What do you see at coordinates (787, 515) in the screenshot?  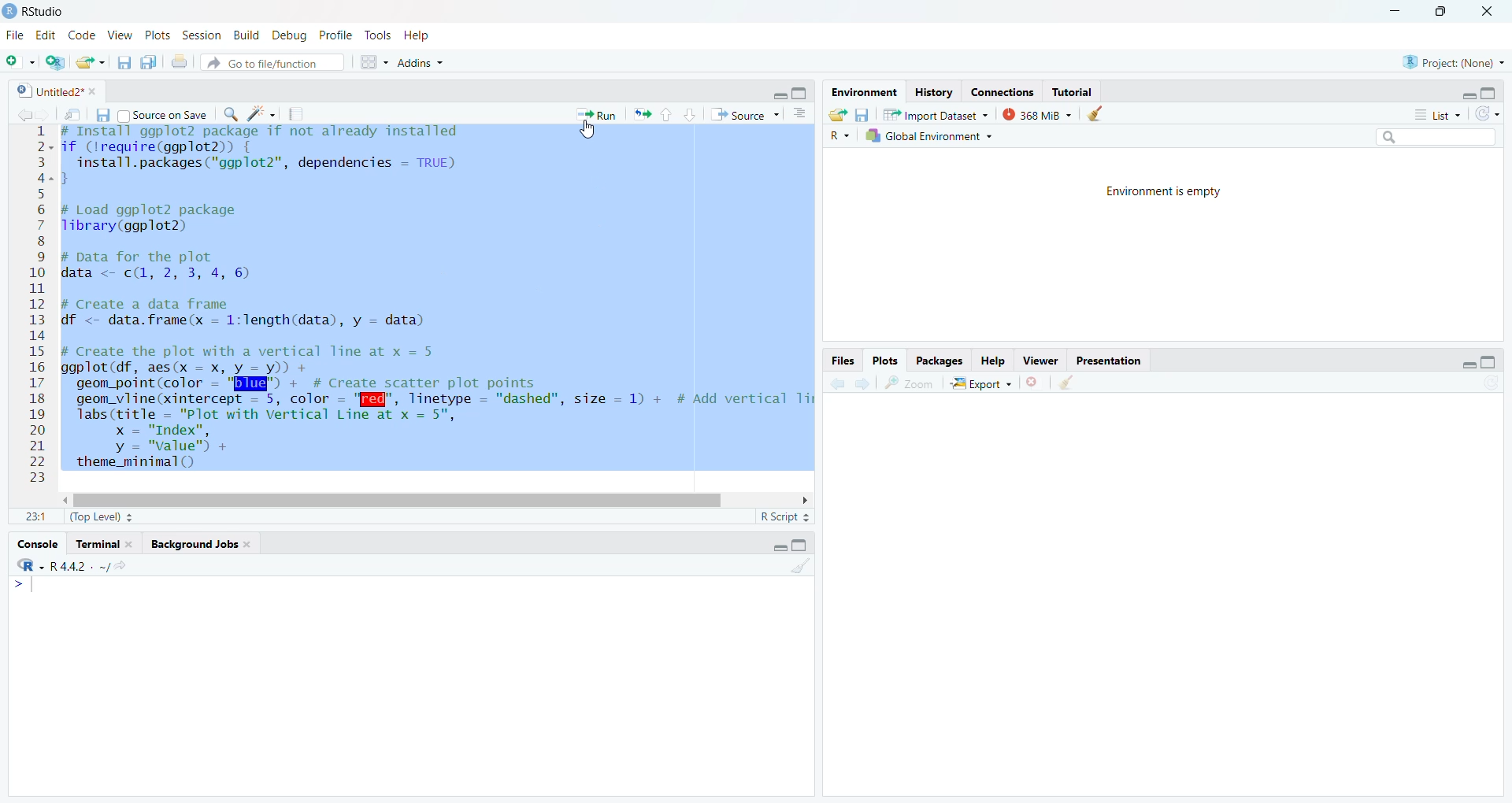 I see `R Script =` at bounding box center [787, 515].